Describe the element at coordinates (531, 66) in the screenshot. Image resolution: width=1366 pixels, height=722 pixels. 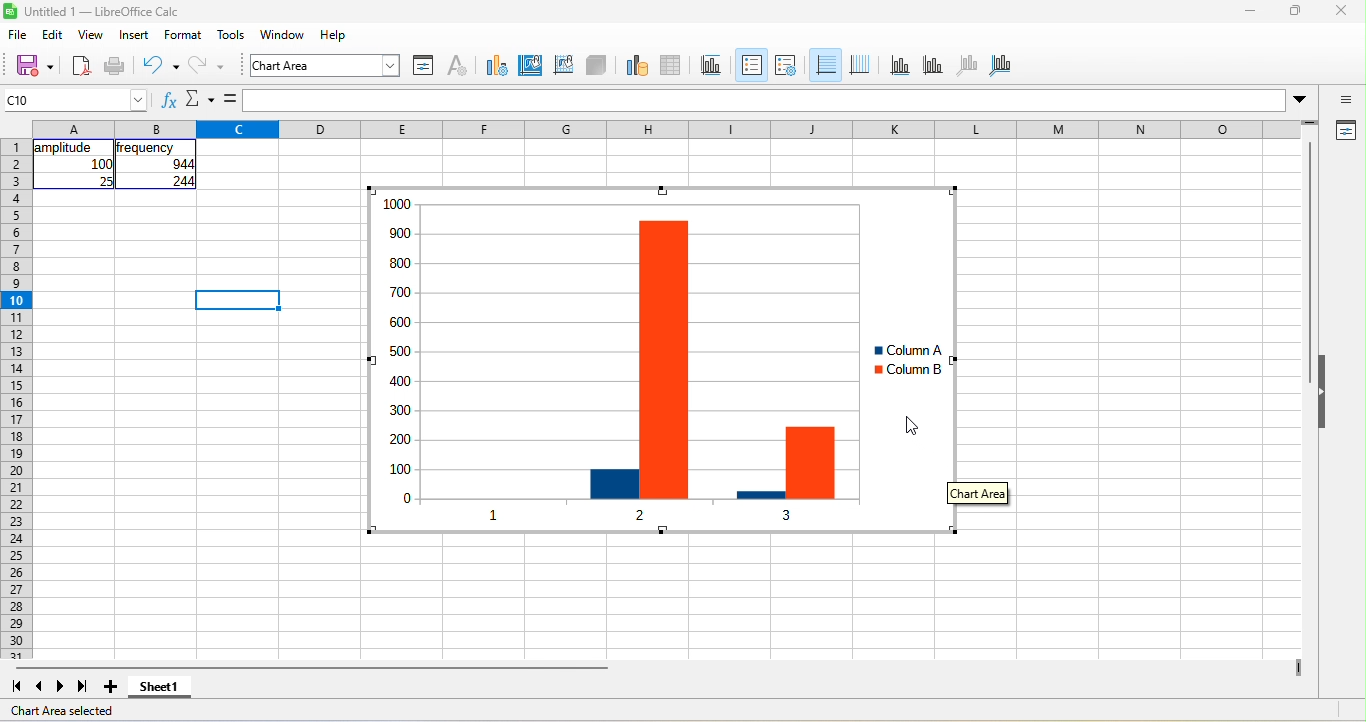
I see `chart area ` at that location.